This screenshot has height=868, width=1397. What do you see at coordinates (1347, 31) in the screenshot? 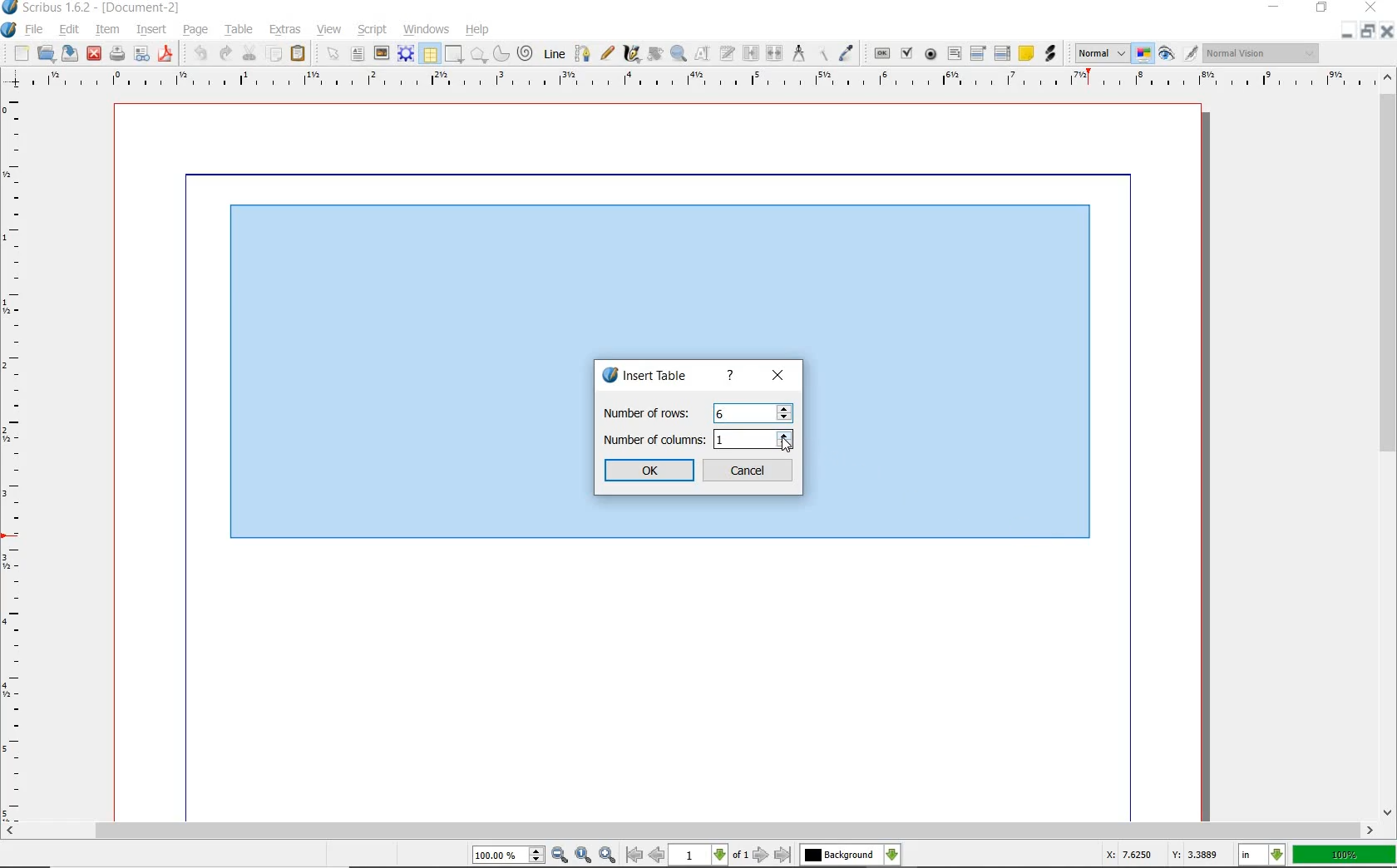
I see `minimize` at bounding box center [1347, 31].